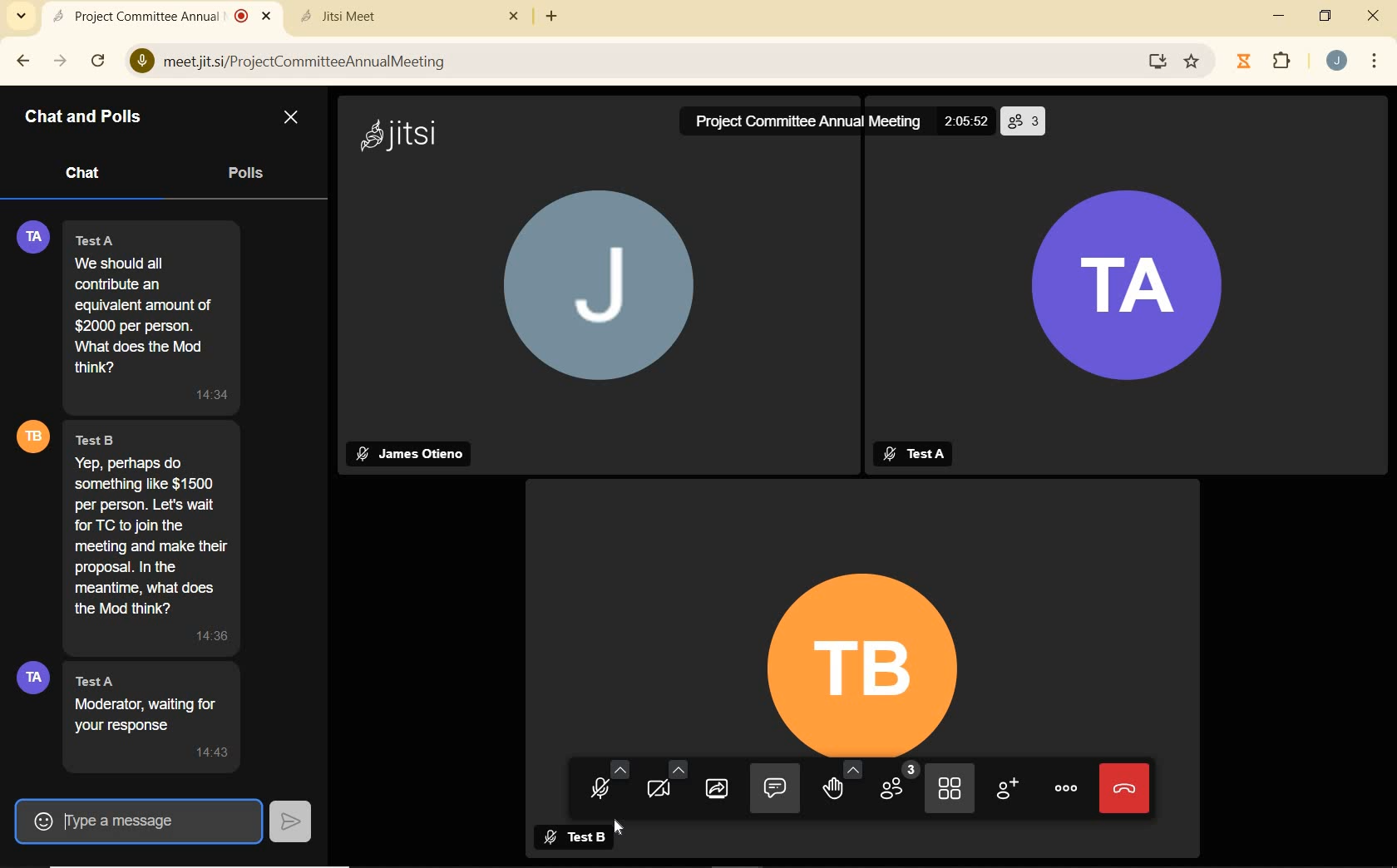  Describe the element at coordinates (1279, 18) in the screenshot. I see `minimize` at that location.